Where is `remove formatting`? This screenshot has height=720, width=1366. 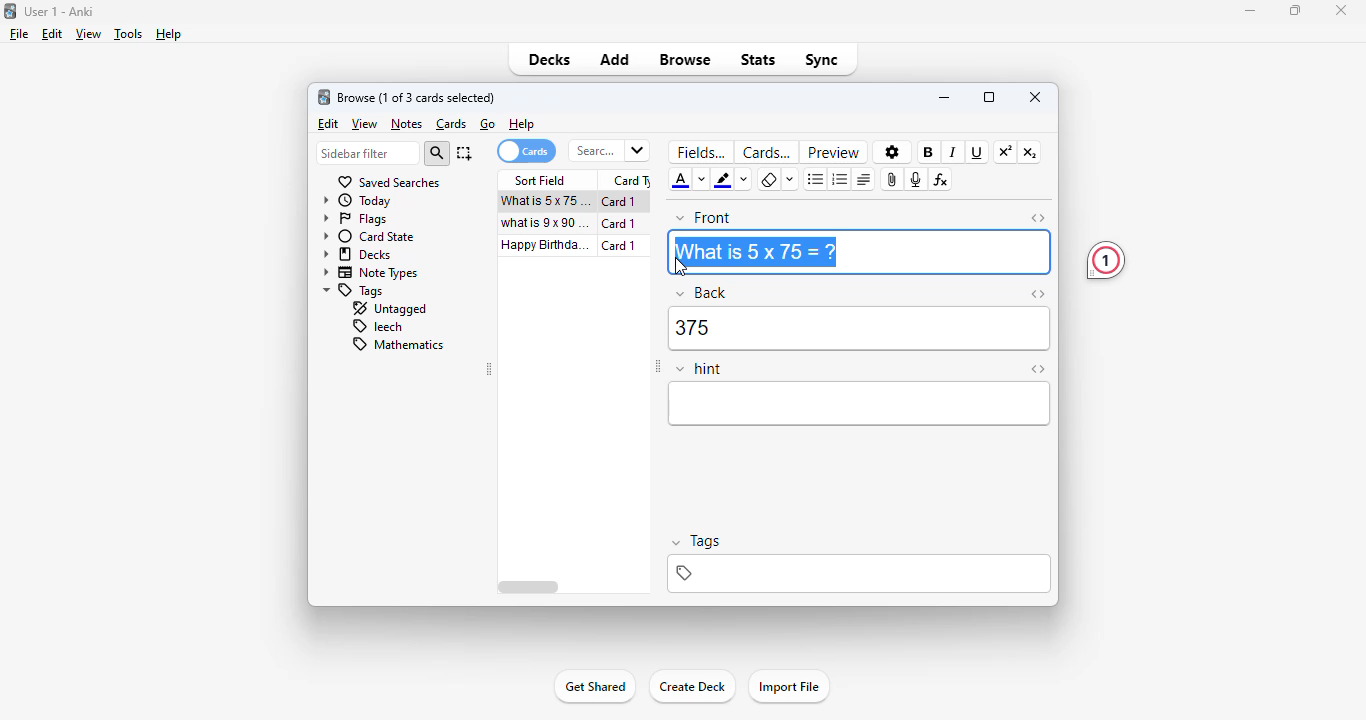
remove formatting is located at coordinates (770, 179).